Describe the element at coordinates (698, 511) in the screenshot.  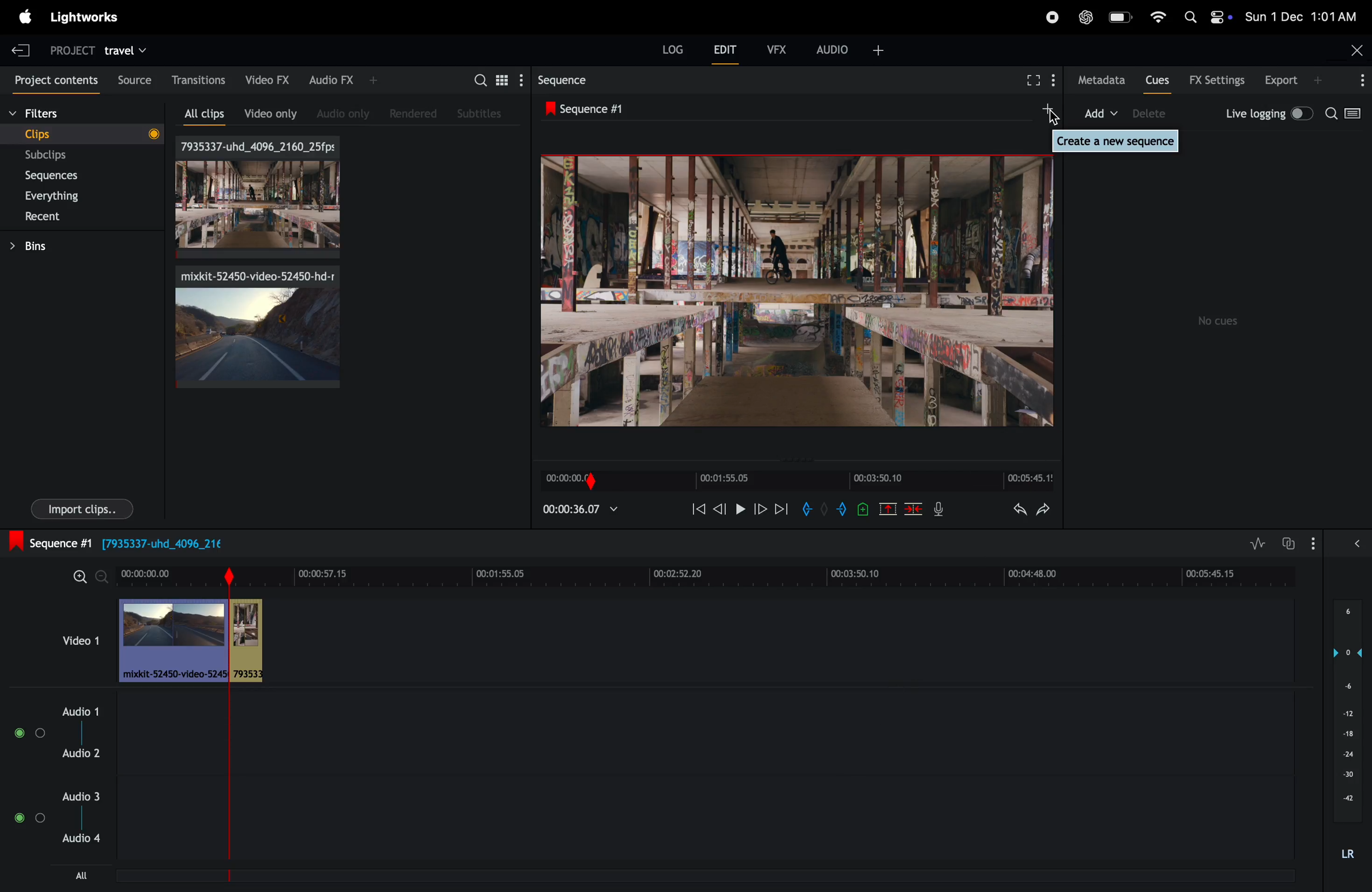
I see `rewind` at that location.